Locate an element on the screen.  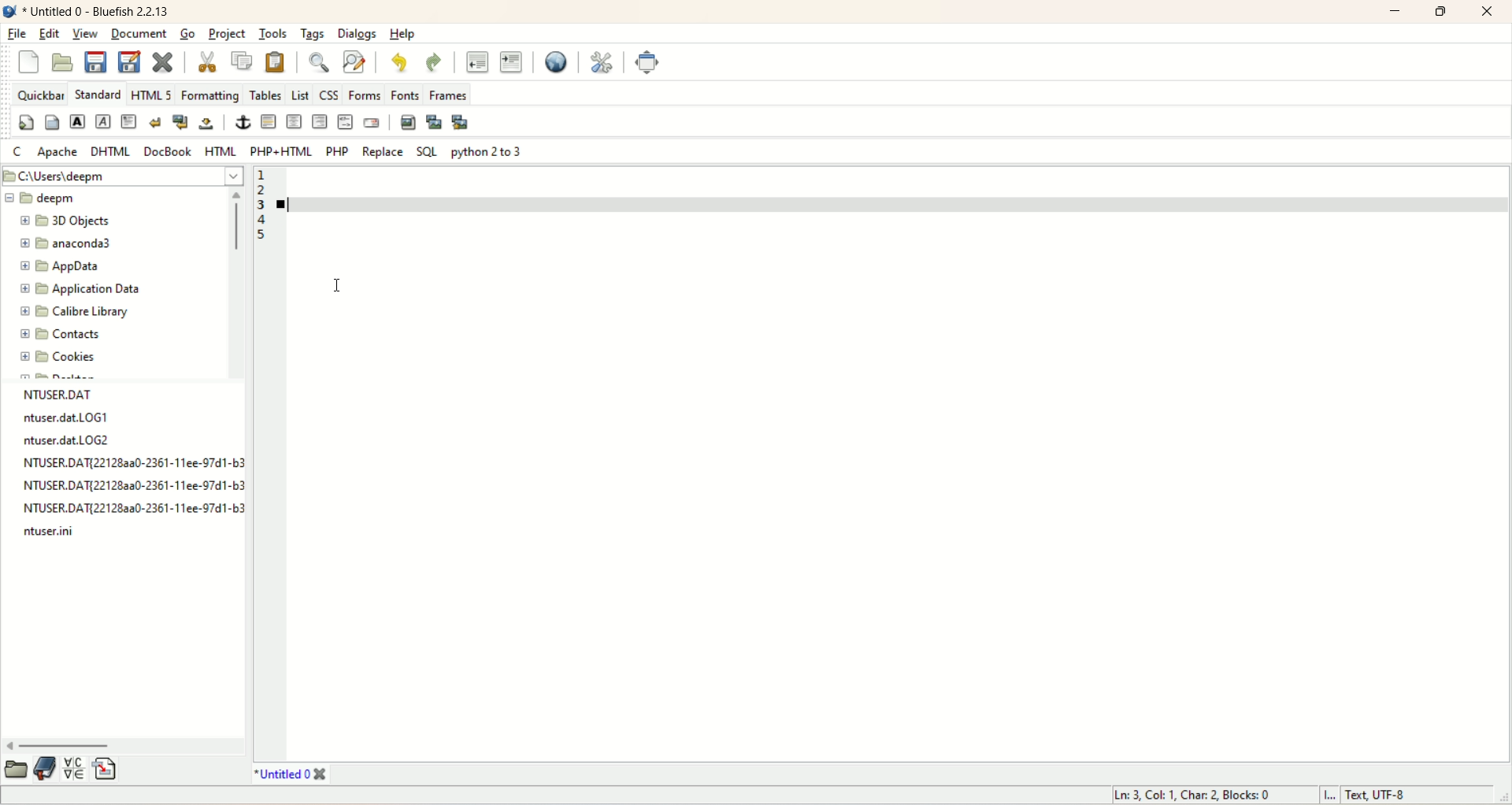
HTML is located at coordinates (224, 152).